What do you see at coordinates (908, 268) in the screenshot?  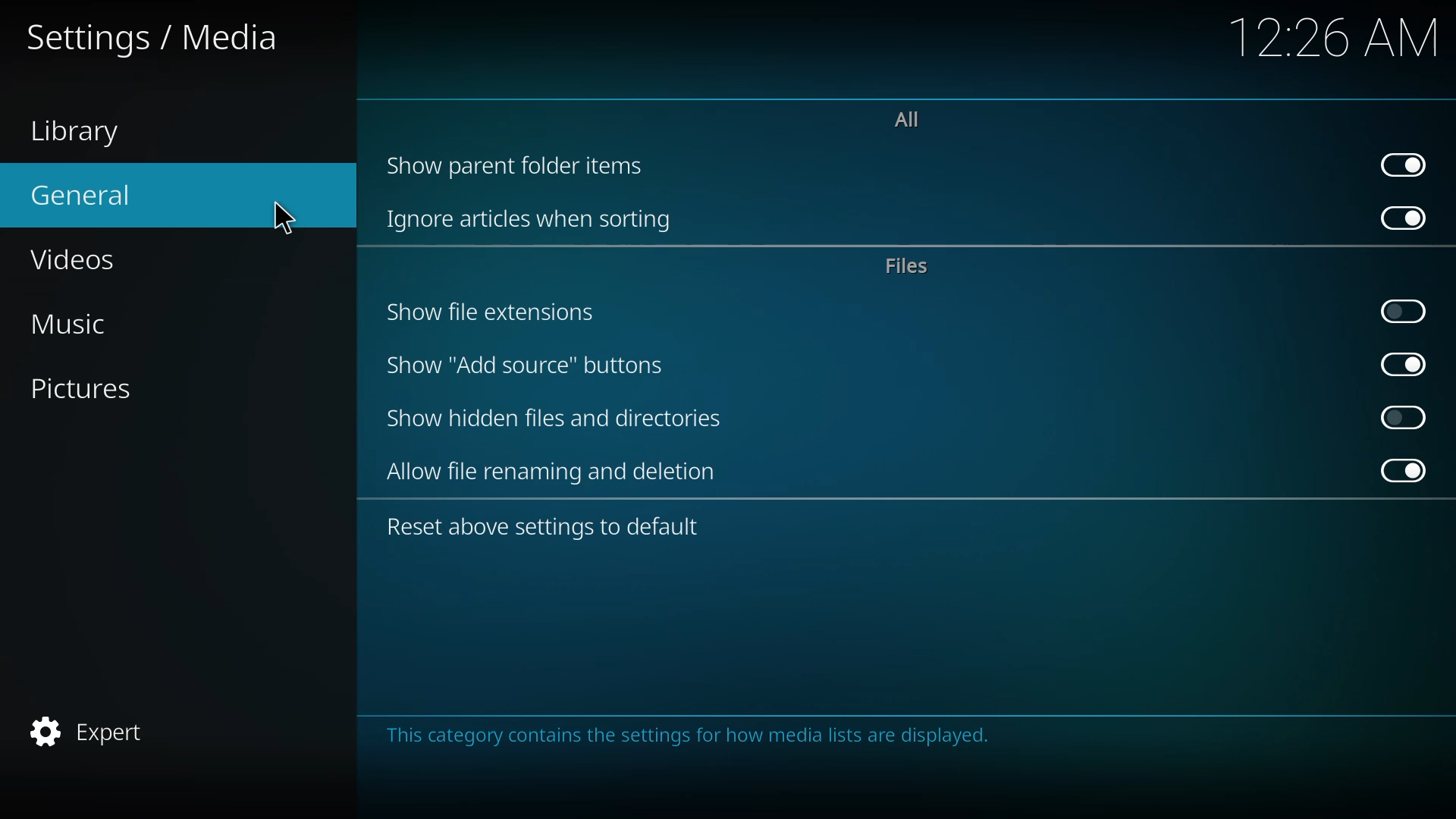 I see `files` at bounding box center [908, 268].